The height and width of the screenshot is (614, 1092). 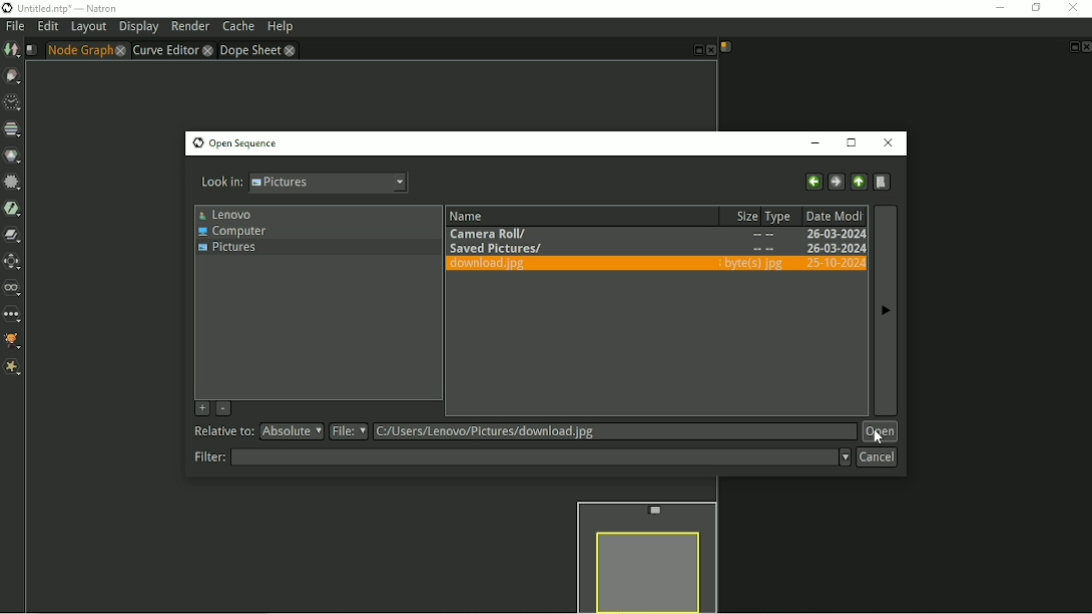 What do you see at coordinates (139, 28) in the screenshot?
I see `Display` at bounding box center [139, 28].